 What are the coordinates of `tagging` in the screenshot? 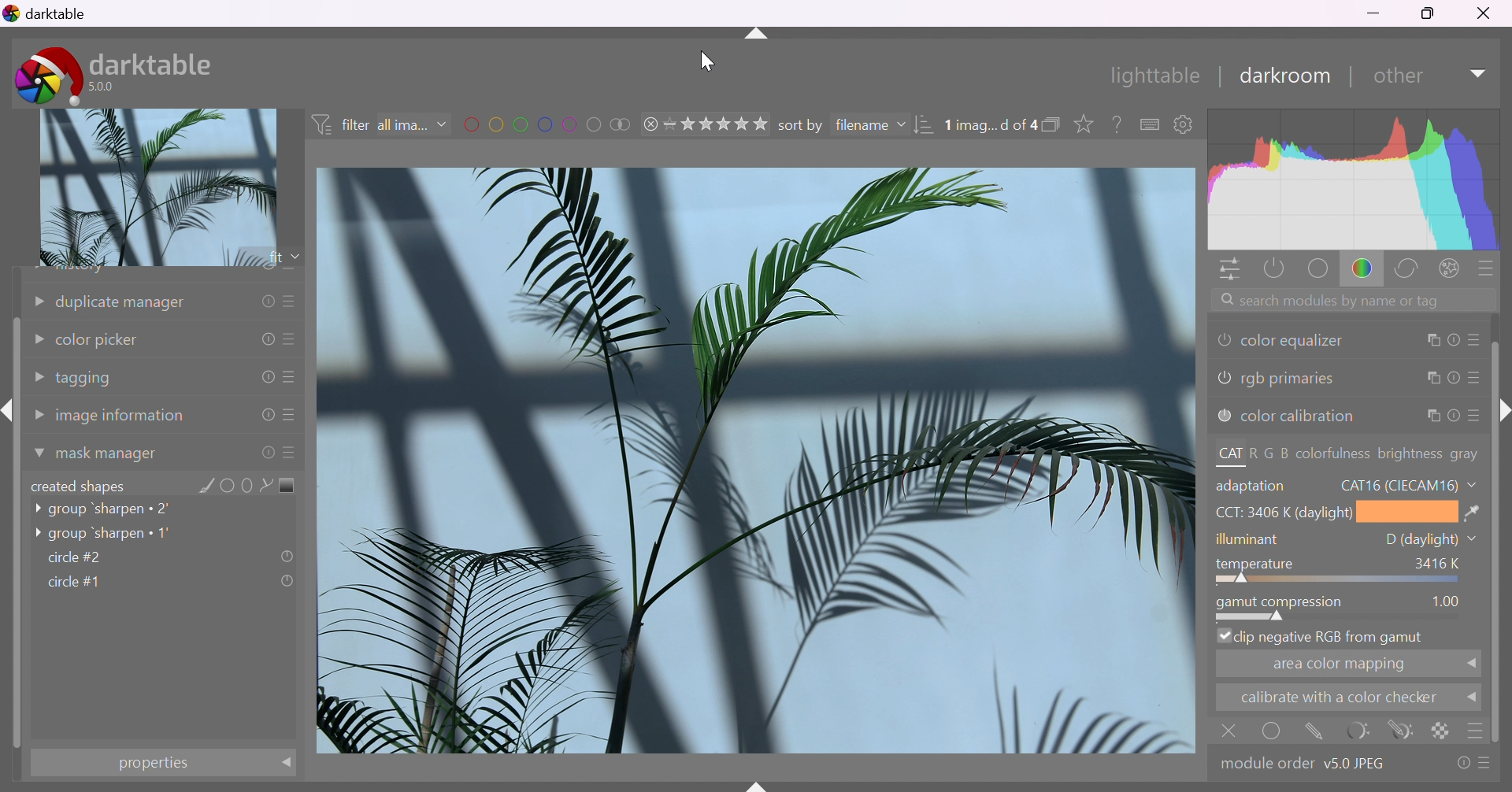 It's located at (164, 379).